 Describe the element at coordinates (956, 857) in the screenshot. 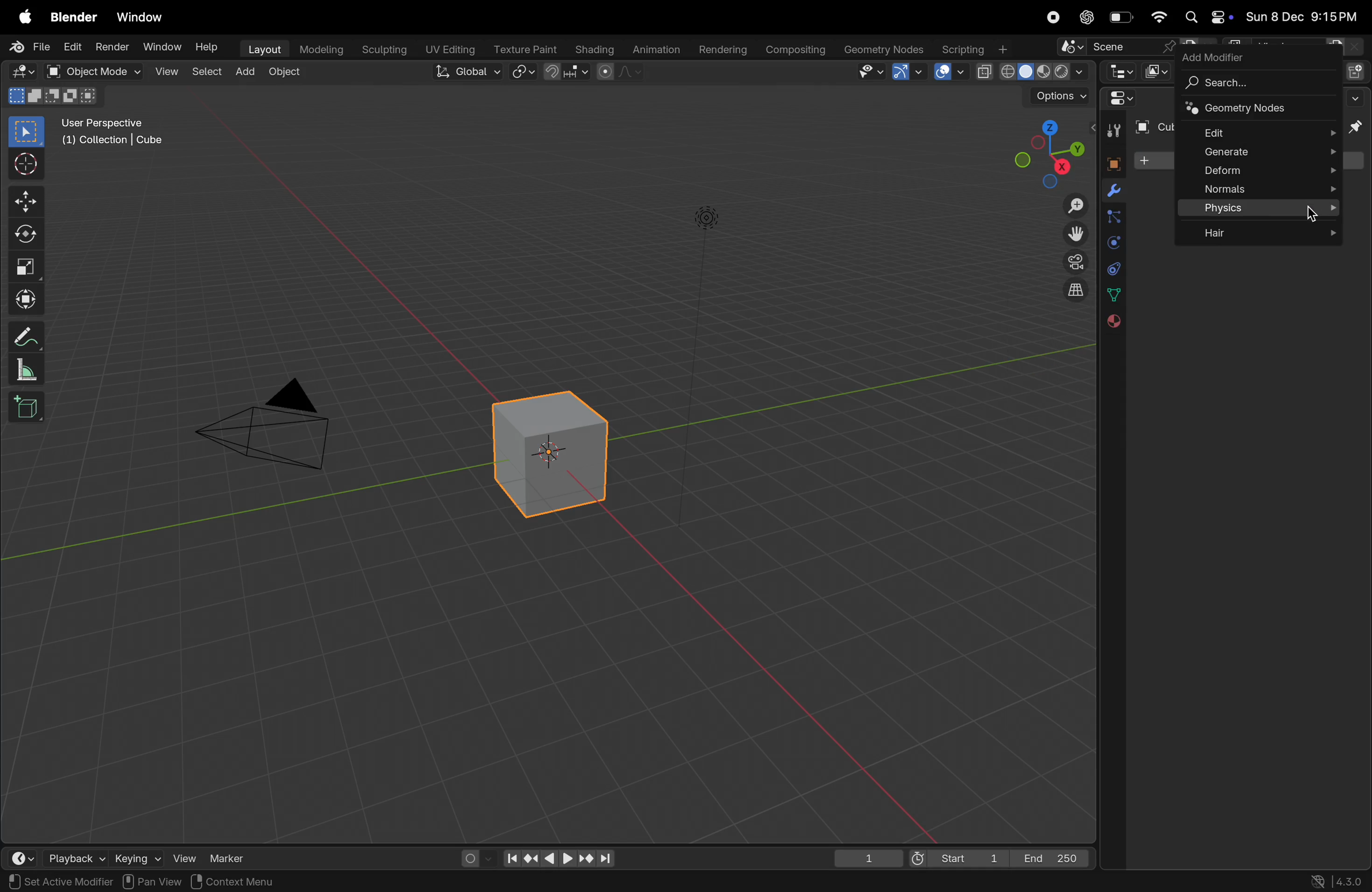

I see `Start 1` at that location.